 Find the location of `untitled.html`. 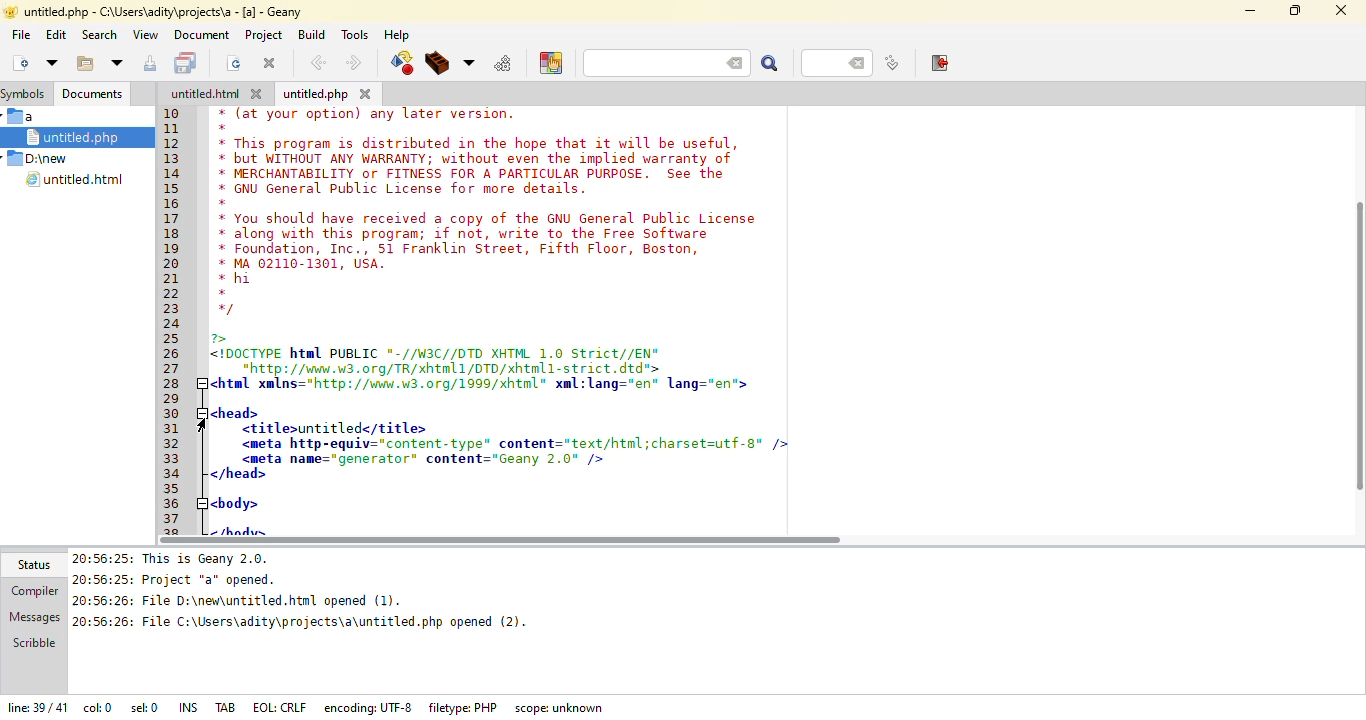

untitled.html is located at coordinates (75, 178).